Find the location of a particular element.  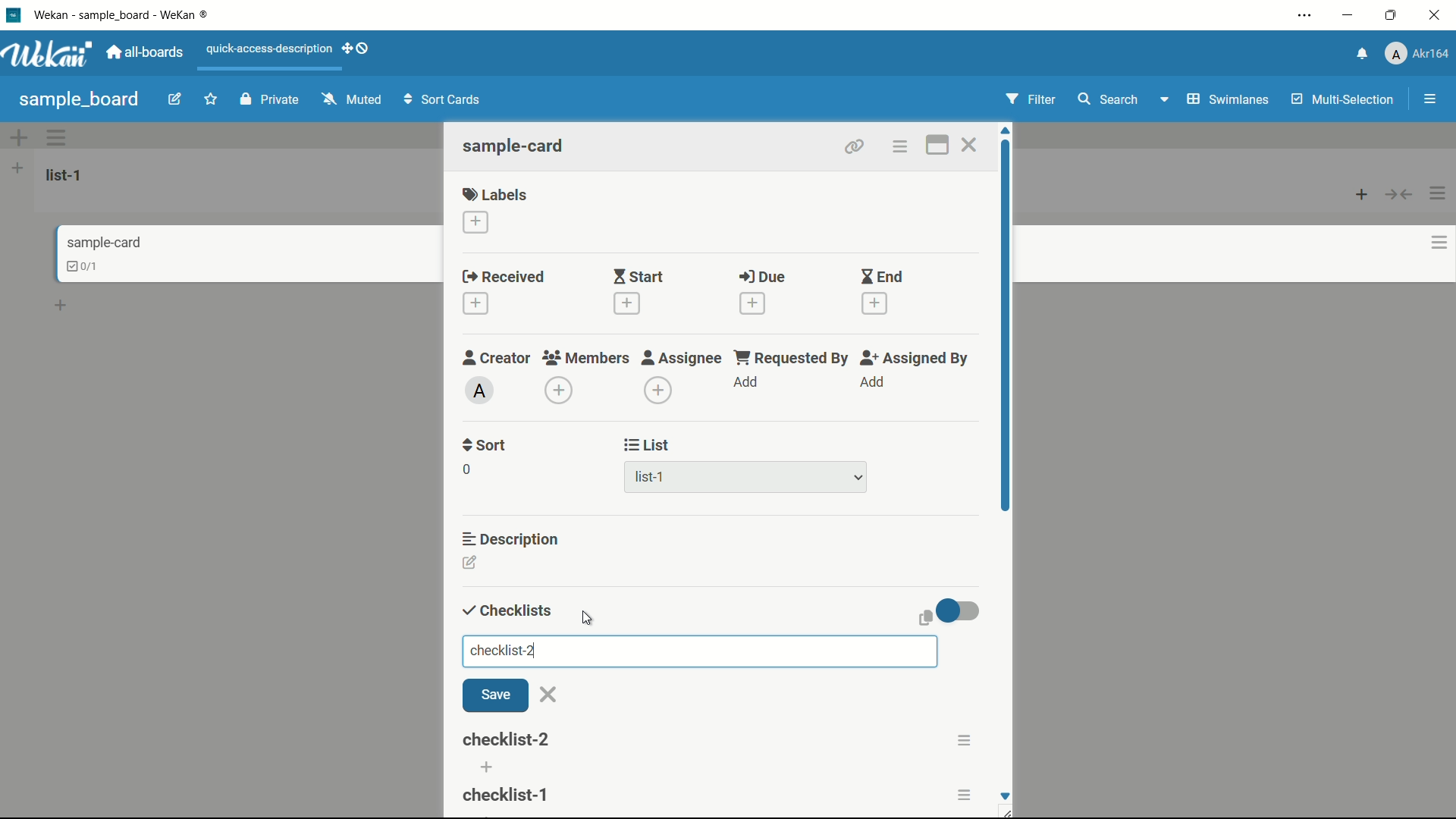

edit is located at coordinates (175, 101).